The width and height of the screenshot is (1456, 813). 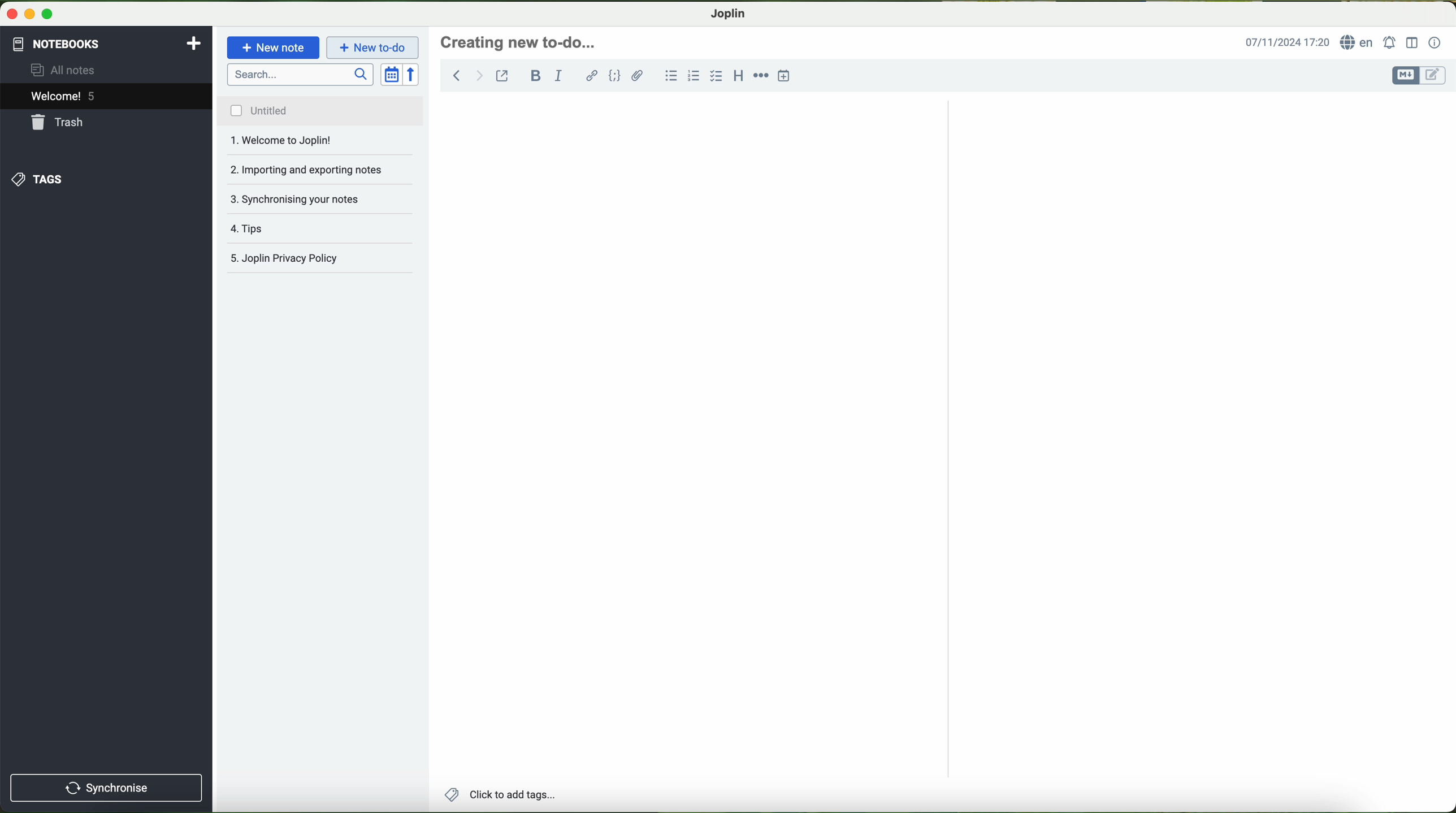 I want to click on untitled file, so click(x=322, y=113).